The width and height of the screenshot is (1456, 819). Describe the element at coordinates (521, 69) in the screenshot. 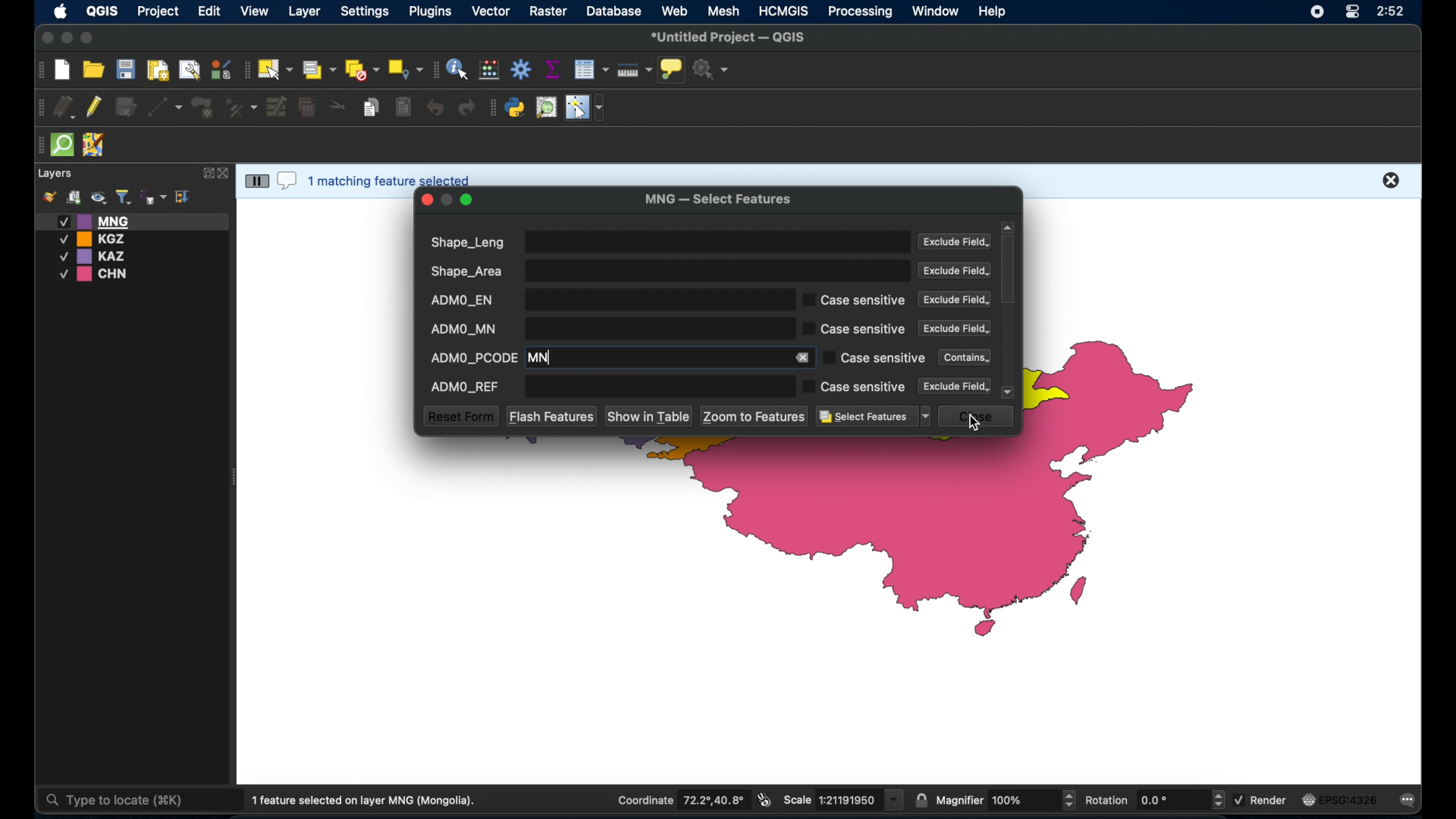

I see `toolbox` at that location.